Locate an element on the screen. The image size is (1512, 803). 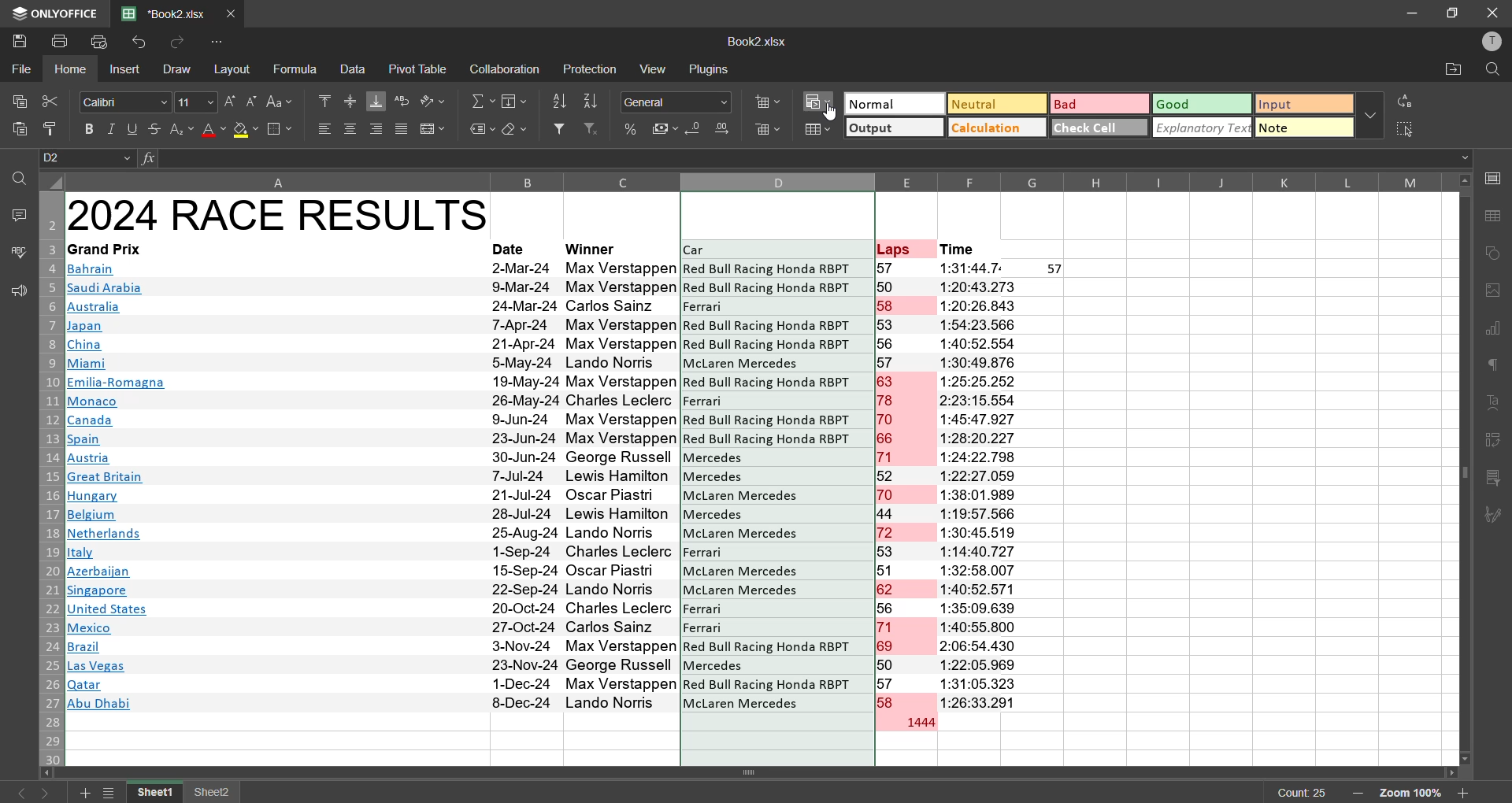
cut is located at coordinates (48, 101).